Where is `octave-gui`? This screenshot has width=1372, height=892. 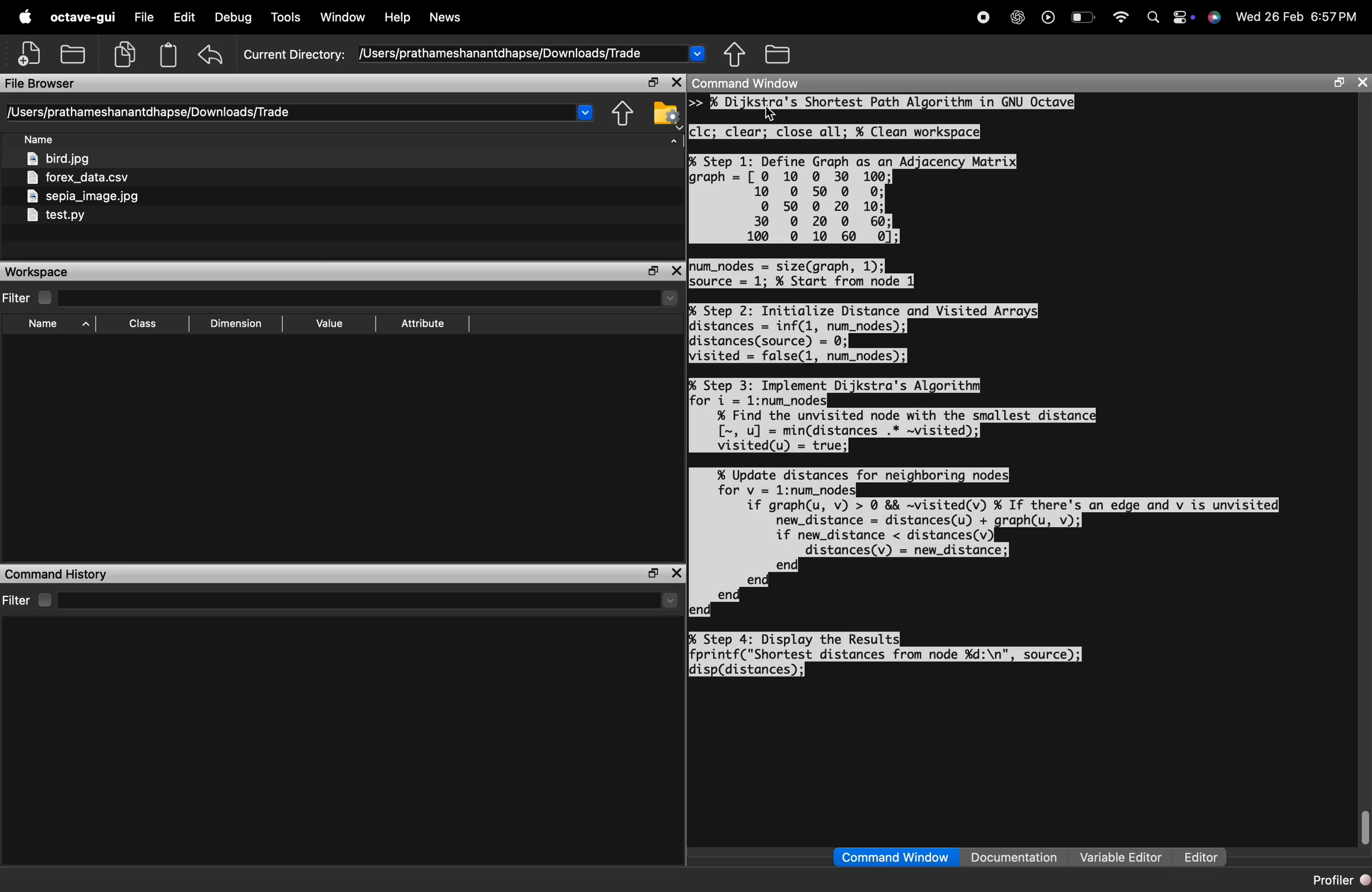 octave-gui is located at coordinates (83, 17).